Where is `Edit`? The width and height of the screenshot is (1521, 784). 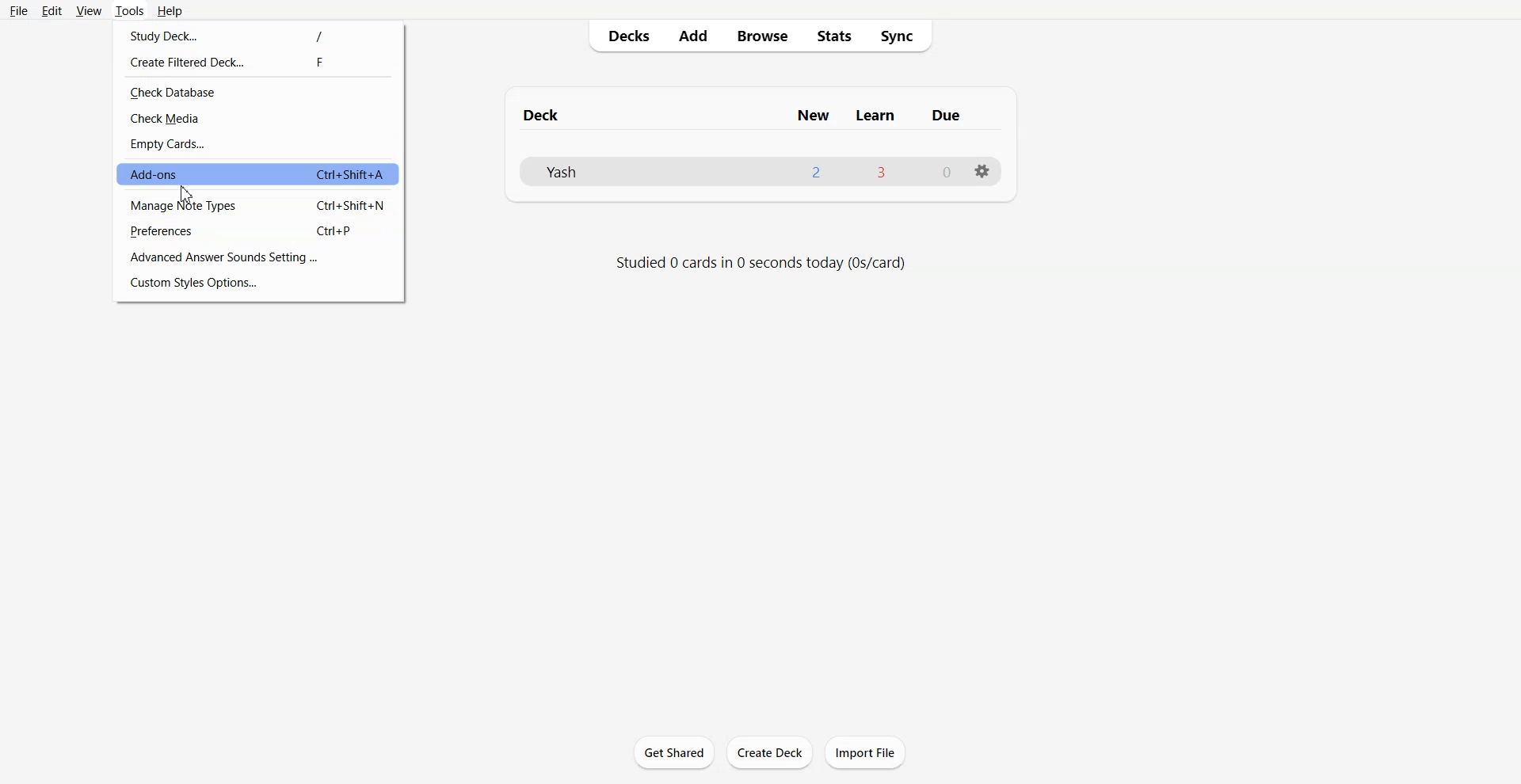 Edit is located at coordinates (51, 10).